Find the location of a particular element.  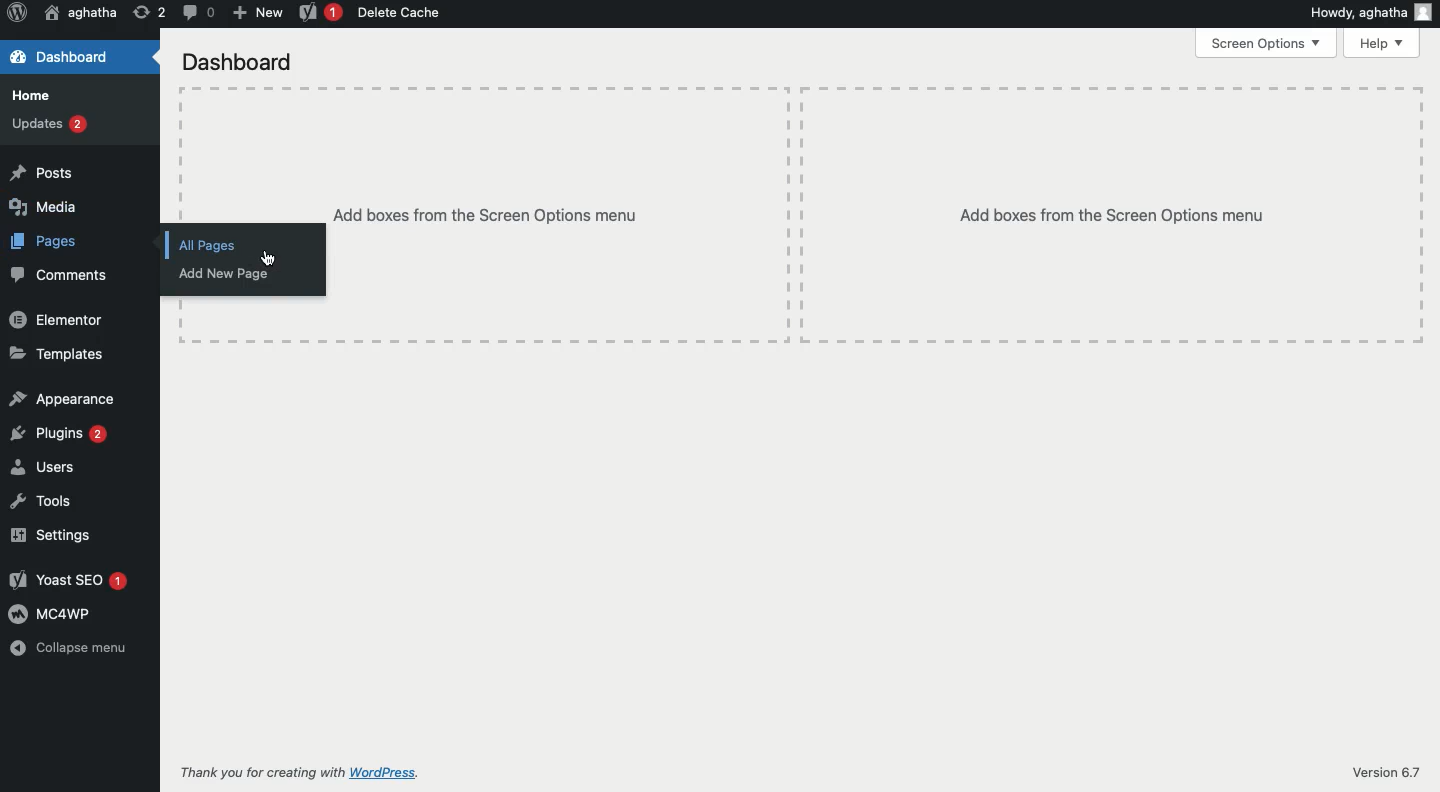

Plugins is located at coordinates (59, 433).